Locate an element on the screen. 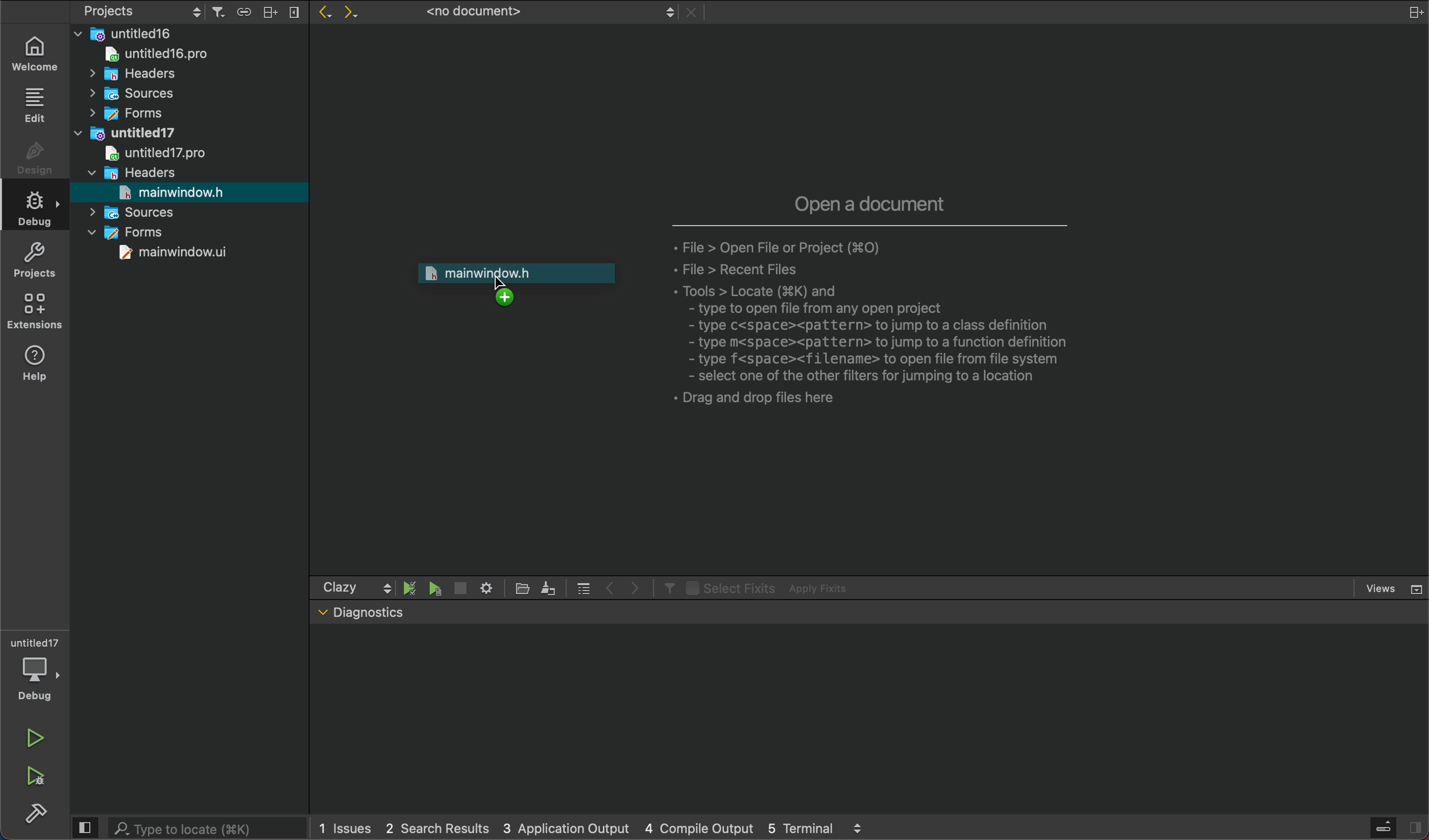 The height and width of the screenshot is (840, 1429). Close is located at coordinates (694, 12).